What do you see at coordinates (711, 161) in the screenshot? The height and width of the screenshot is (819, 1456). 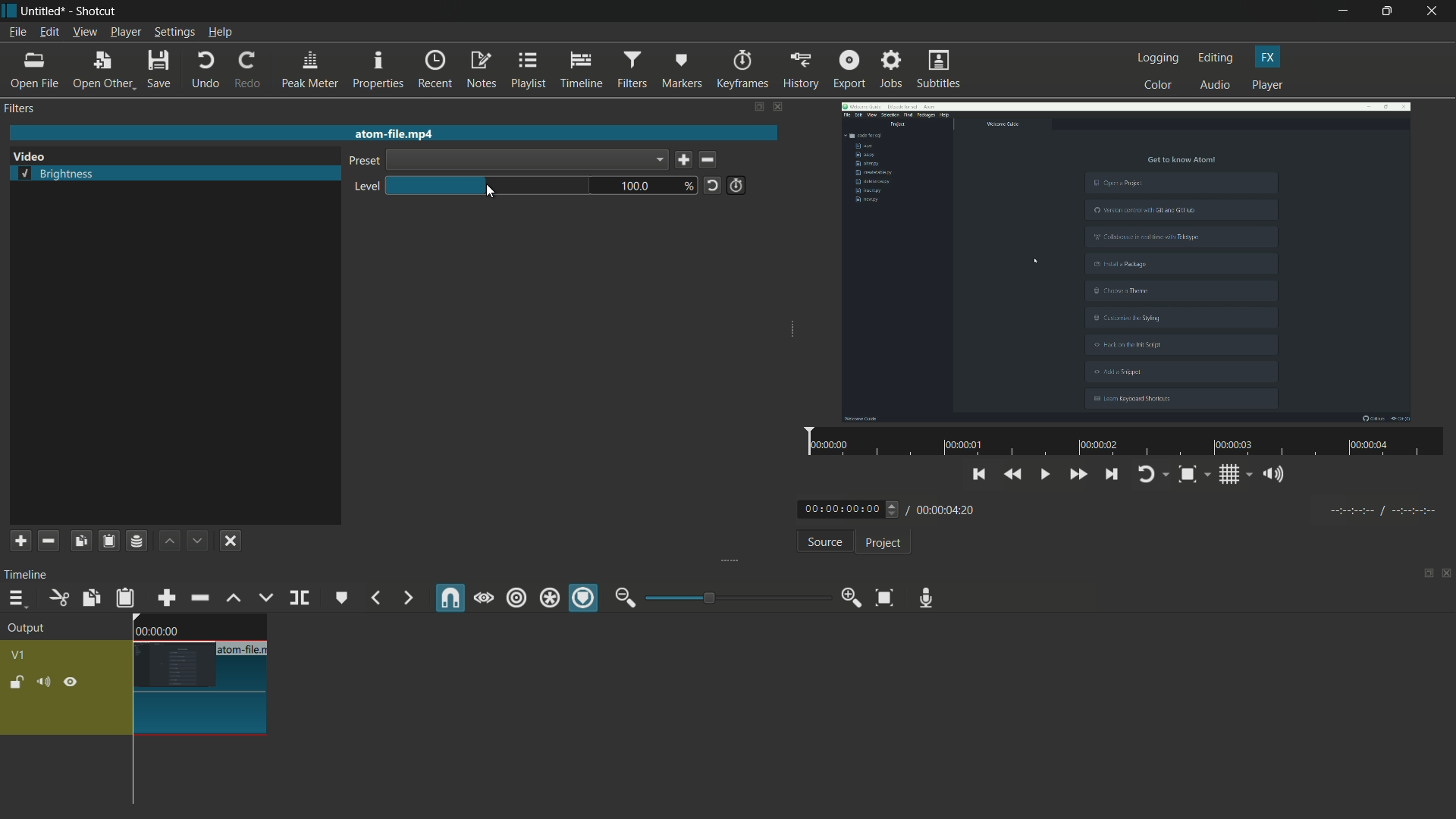 I see `delete` at bounding box center [711, 161].